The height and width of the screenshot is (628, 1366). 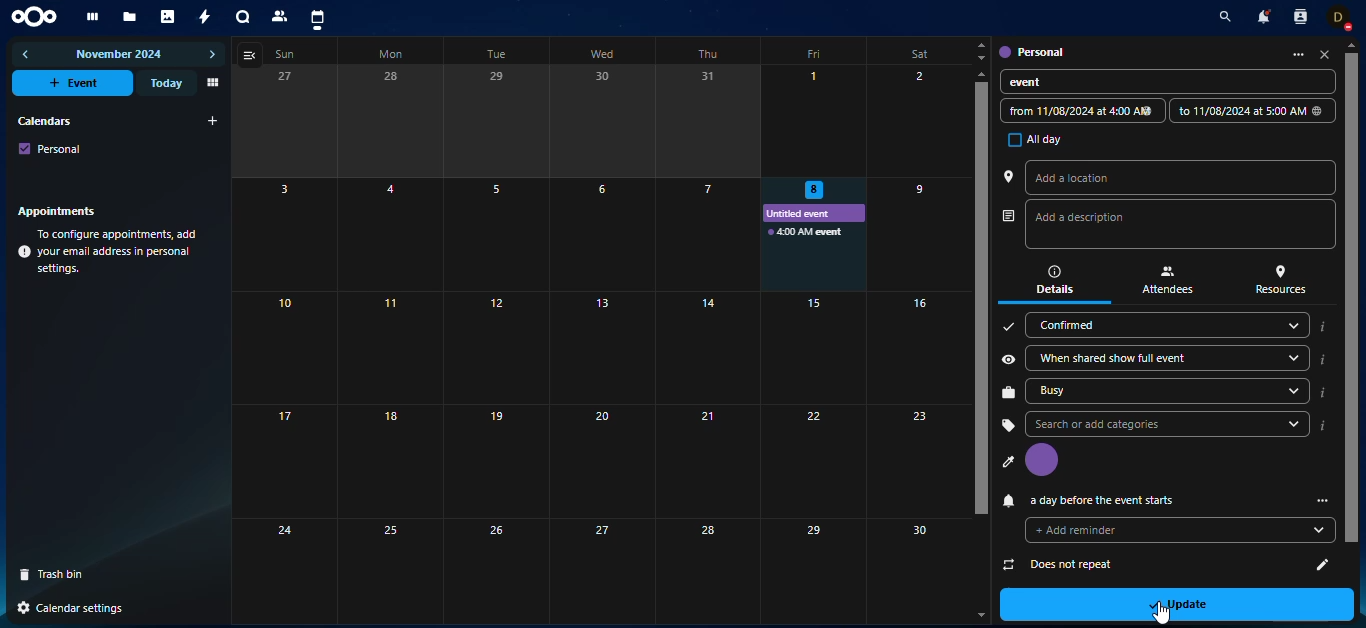 I want to click on contact, so click(x=1299, y=17).